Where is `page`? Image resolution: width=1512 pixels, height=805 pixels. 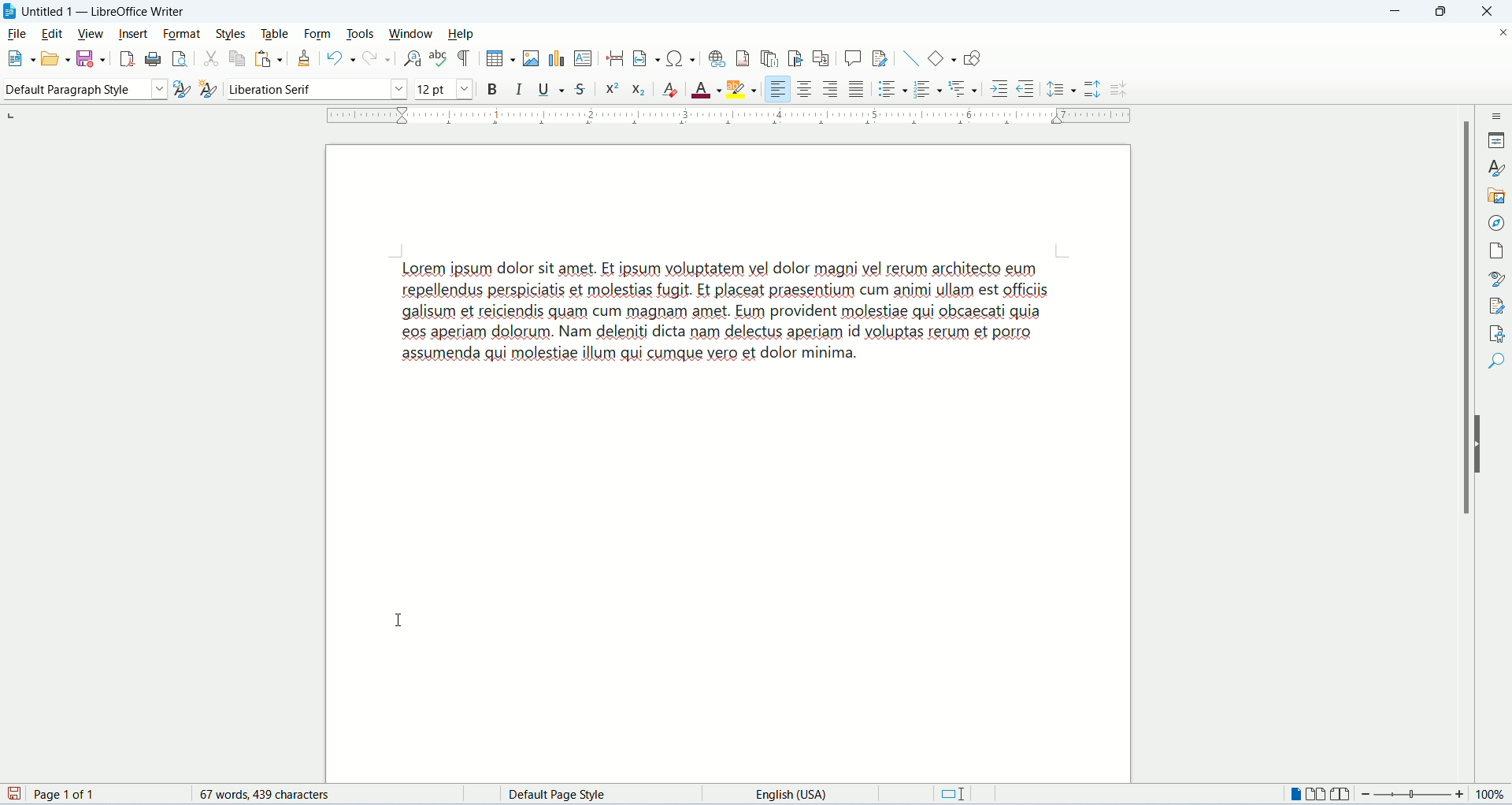 page is located at coordinates (728, 458).